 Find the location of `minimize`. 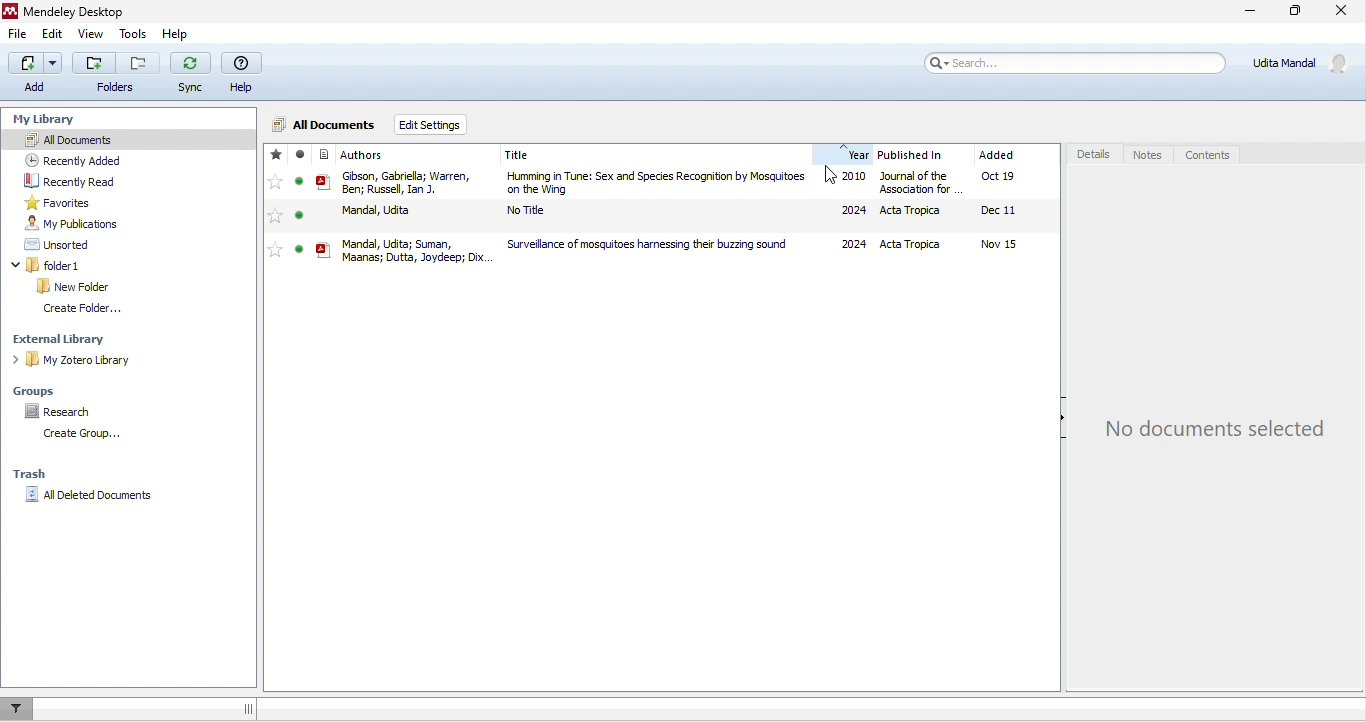

minimize is located at coordinates (1240, 13).